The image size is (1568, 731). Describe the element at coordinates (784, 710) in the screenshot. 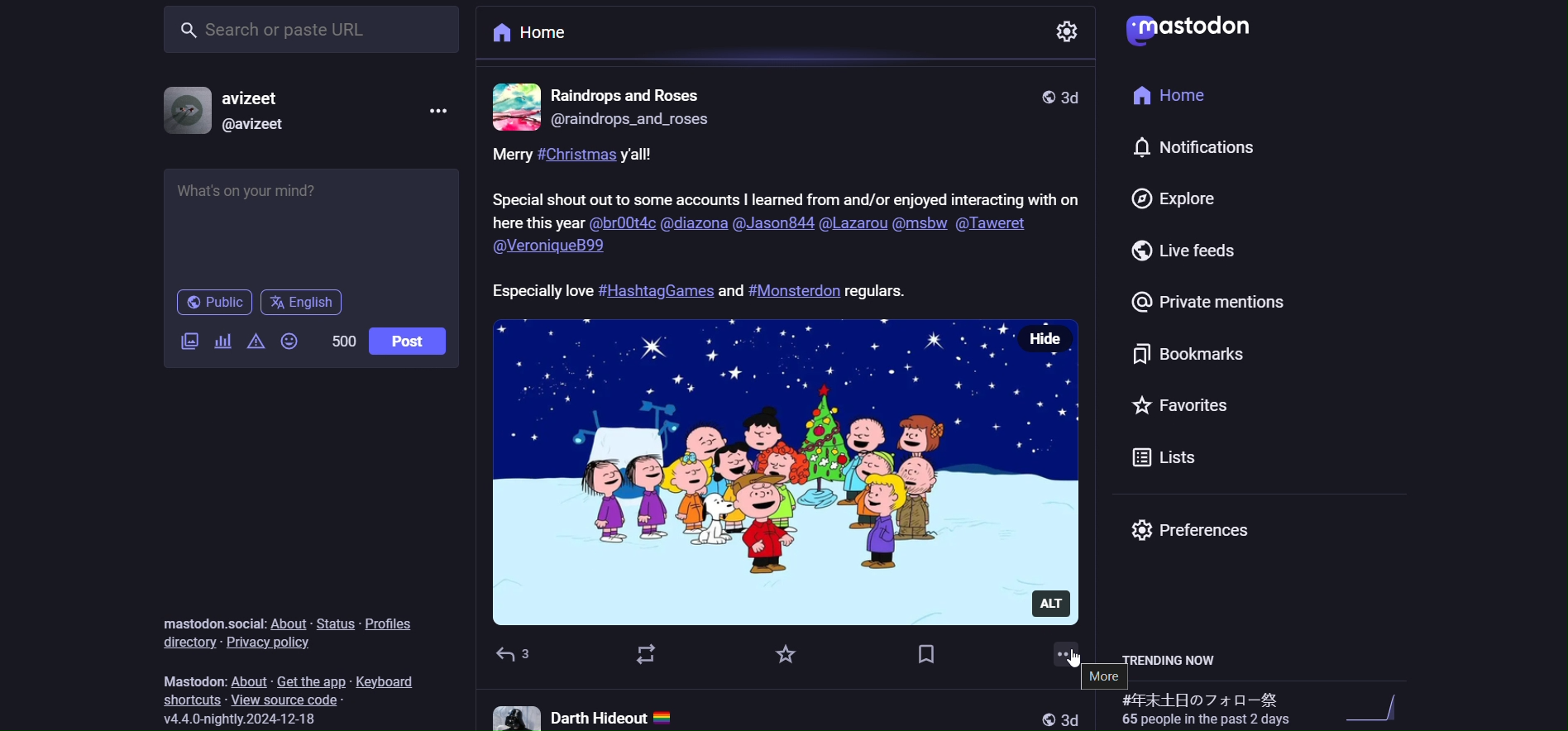

I see `other post` at that location.